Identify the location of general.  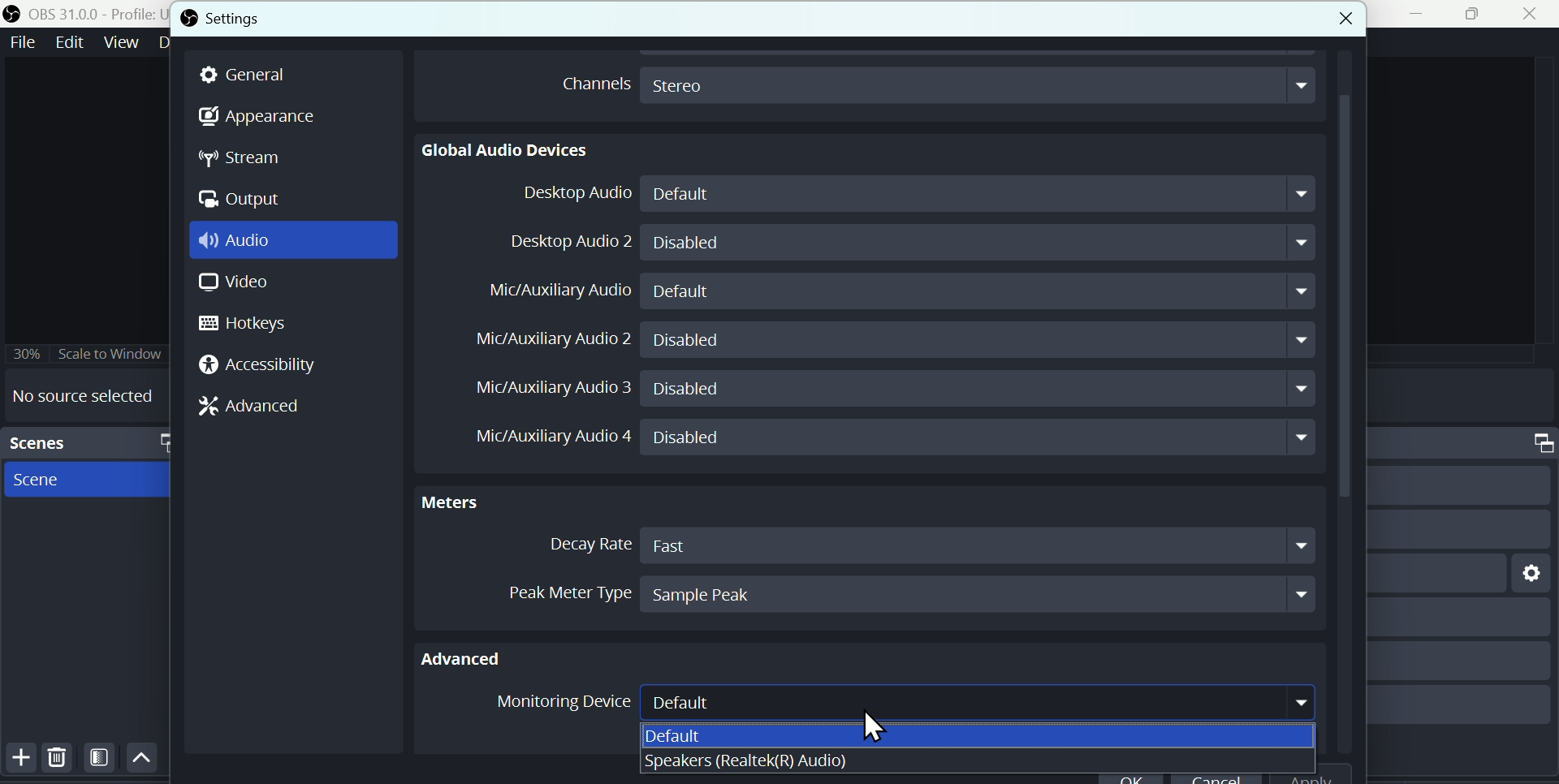
(252, 75).